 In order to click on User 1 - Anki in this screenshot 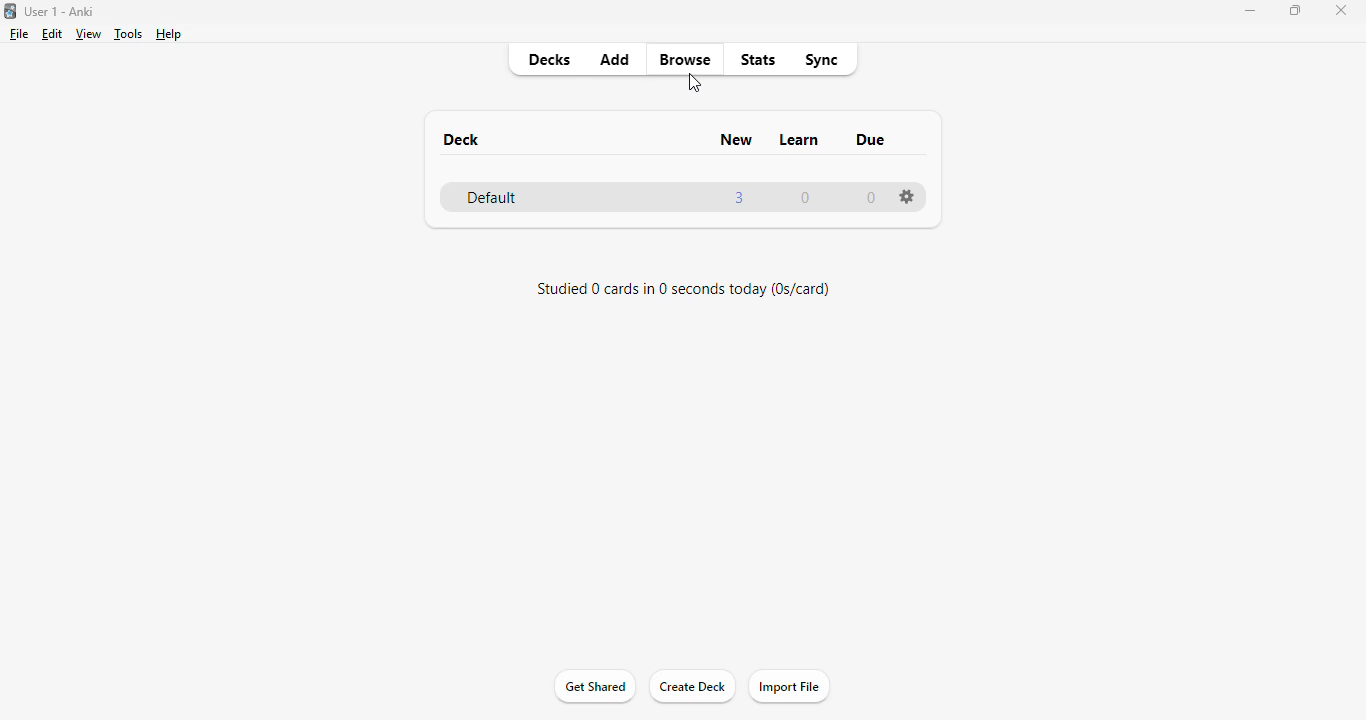, I will do `click(60, 11)`.